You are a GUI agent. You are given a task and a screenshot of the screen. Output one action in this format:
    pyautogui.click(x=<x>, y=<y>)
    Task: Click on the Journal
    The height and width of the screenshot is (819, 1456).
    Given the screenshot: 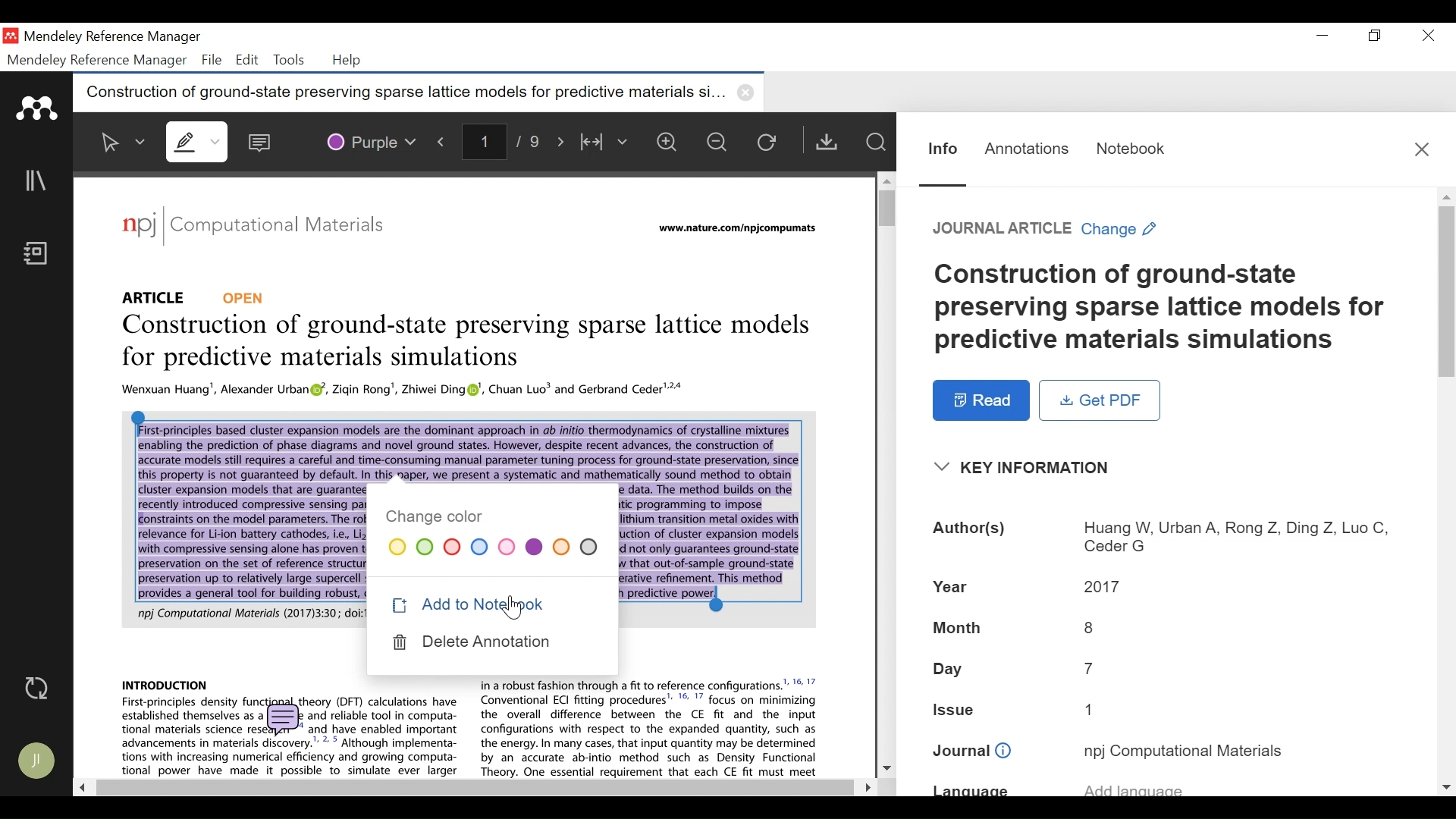 What is the action you would take?
    pyautogui.click(x=289, y=227)
    